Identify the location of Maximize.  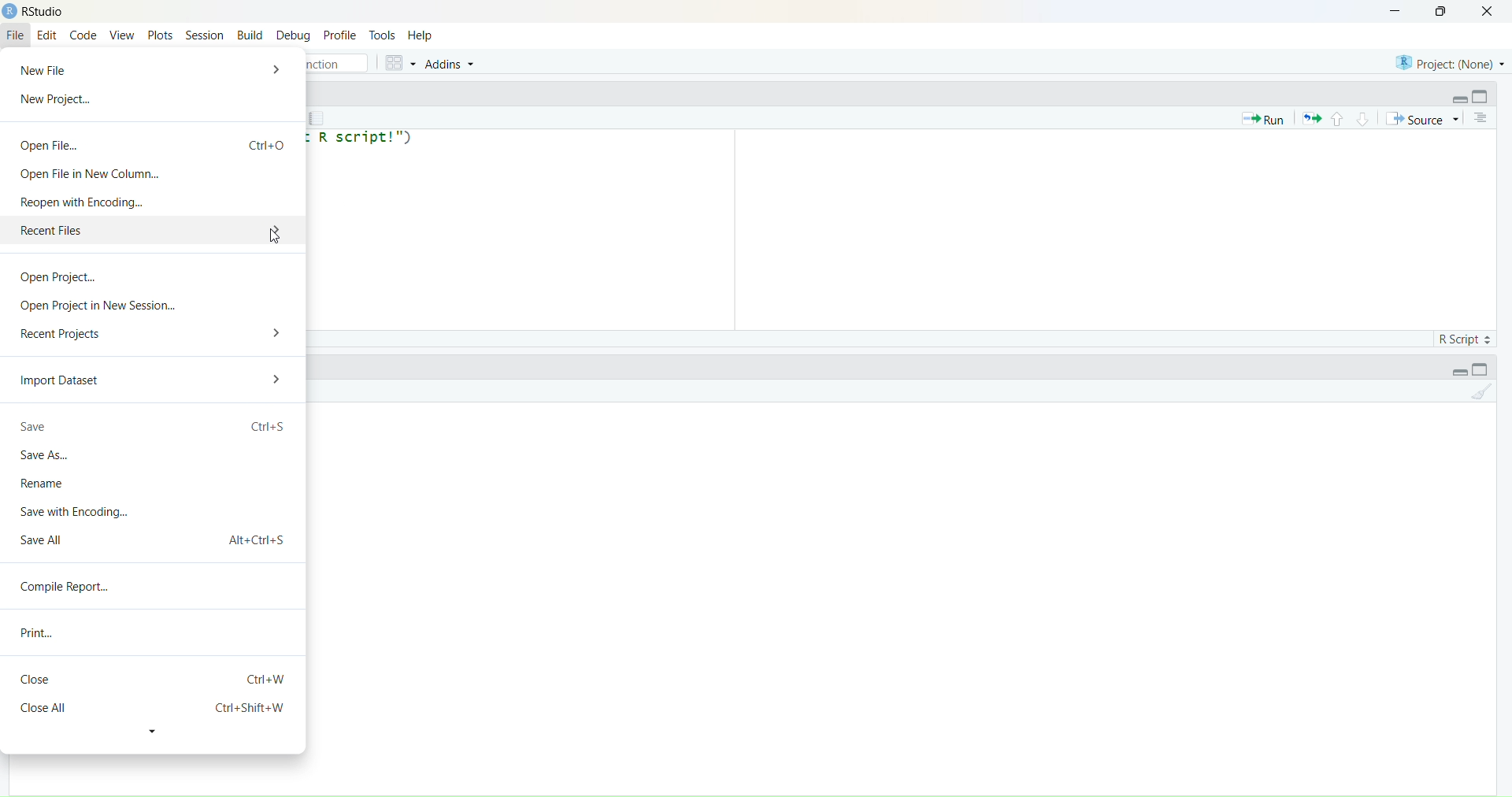
(1444, 11).